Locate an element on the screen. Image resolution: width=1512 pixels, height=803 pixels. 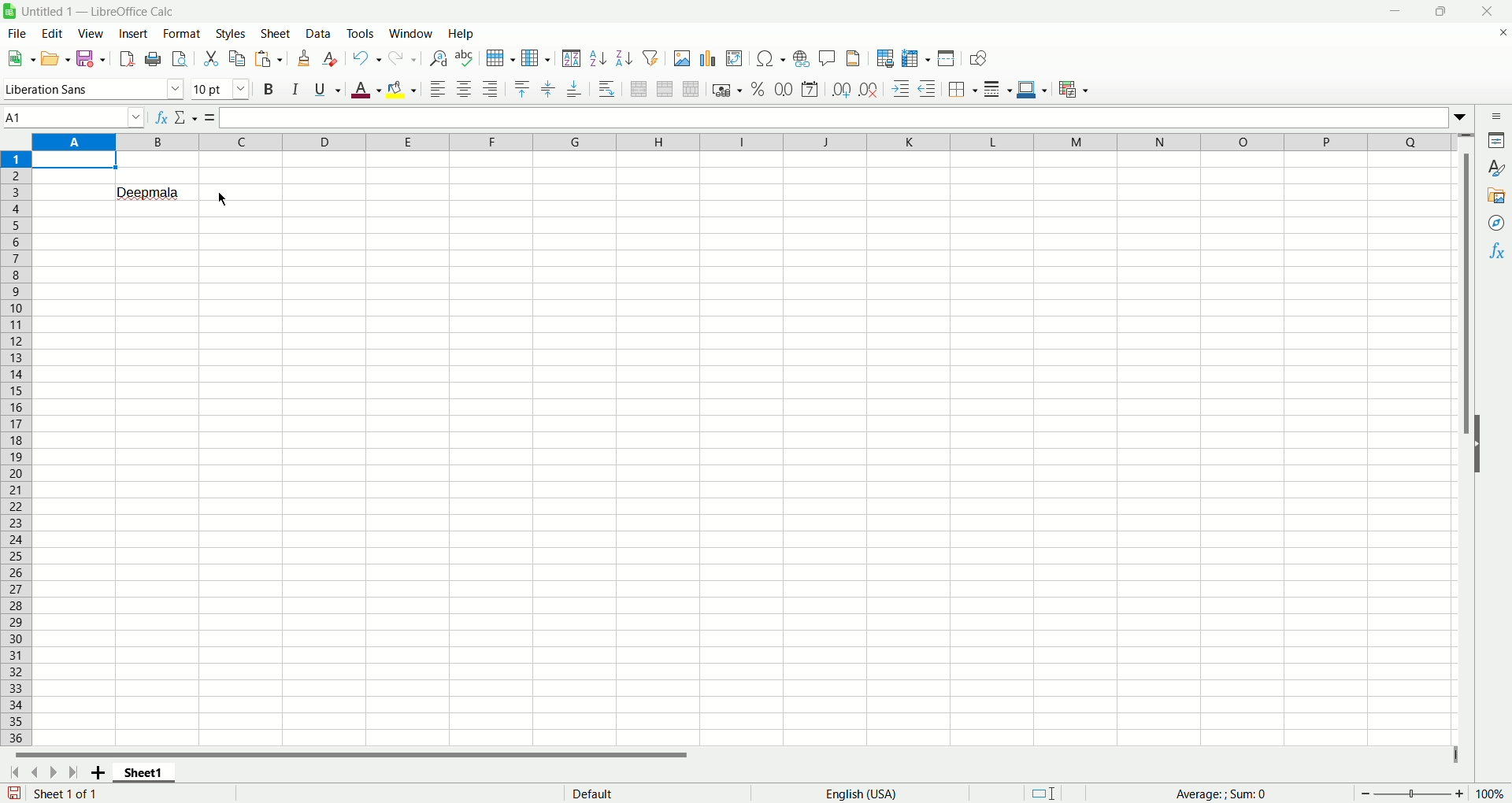
Formula is located at coordinates (210, 117).